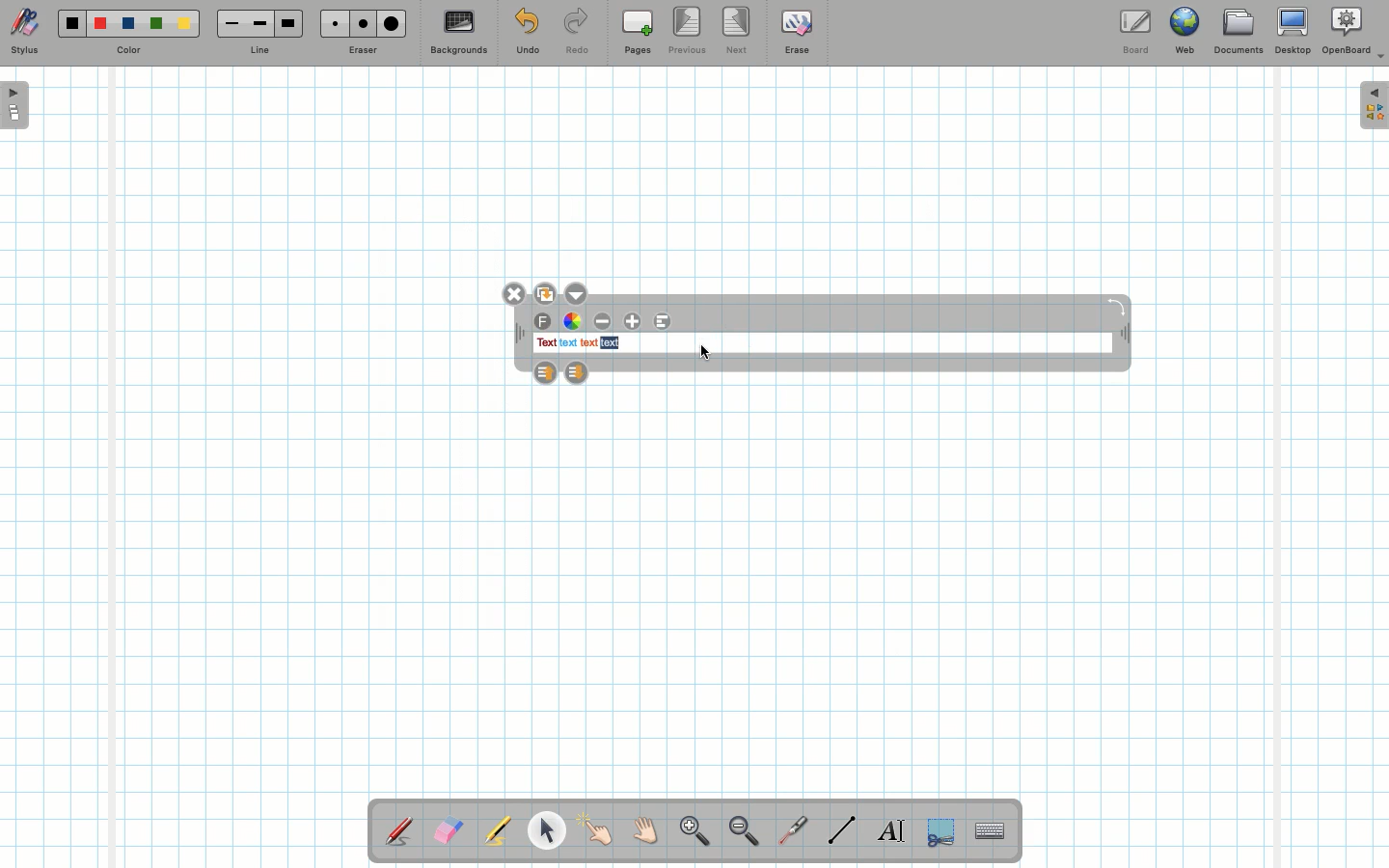 The height and width of the screenshot is (868, 1389). Describe the element at coordinates (1184, 35) in the screenshot. I see `Web` at that location.